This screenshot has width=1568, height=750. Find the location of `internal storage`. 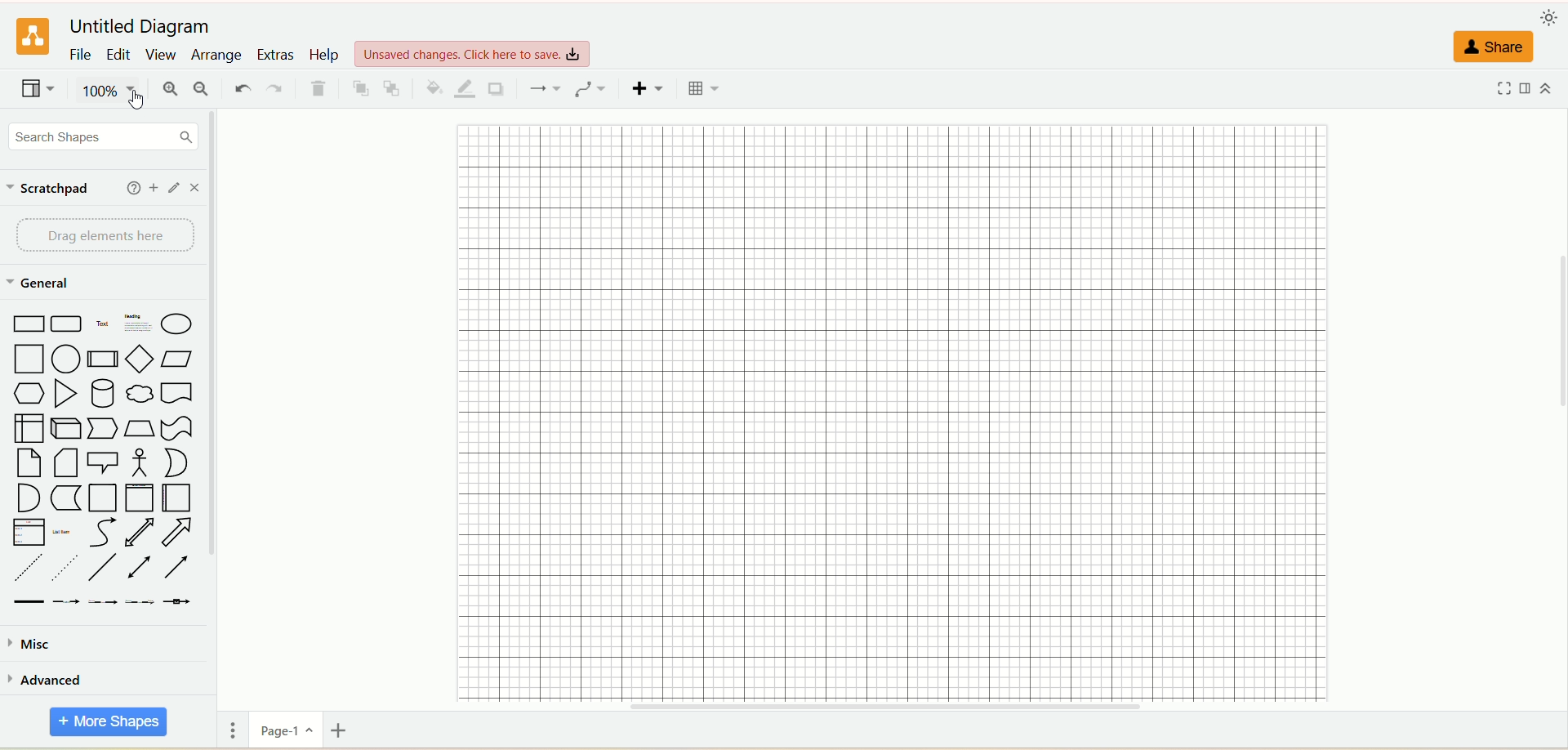

internal storage is located at coordinates (29, 428).